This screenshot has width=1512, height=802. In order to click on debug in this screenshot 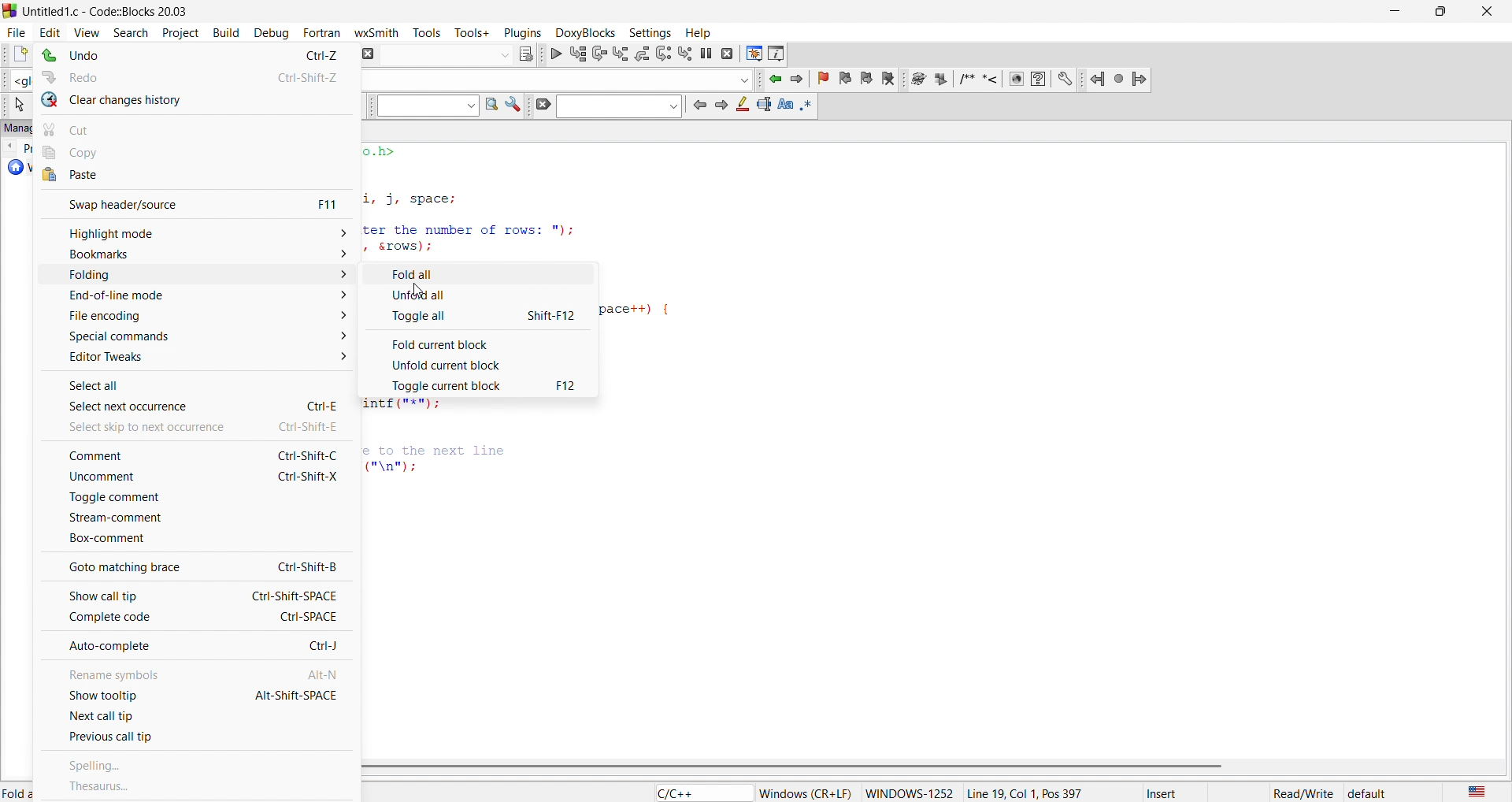, I will do `click(269, 31)`.